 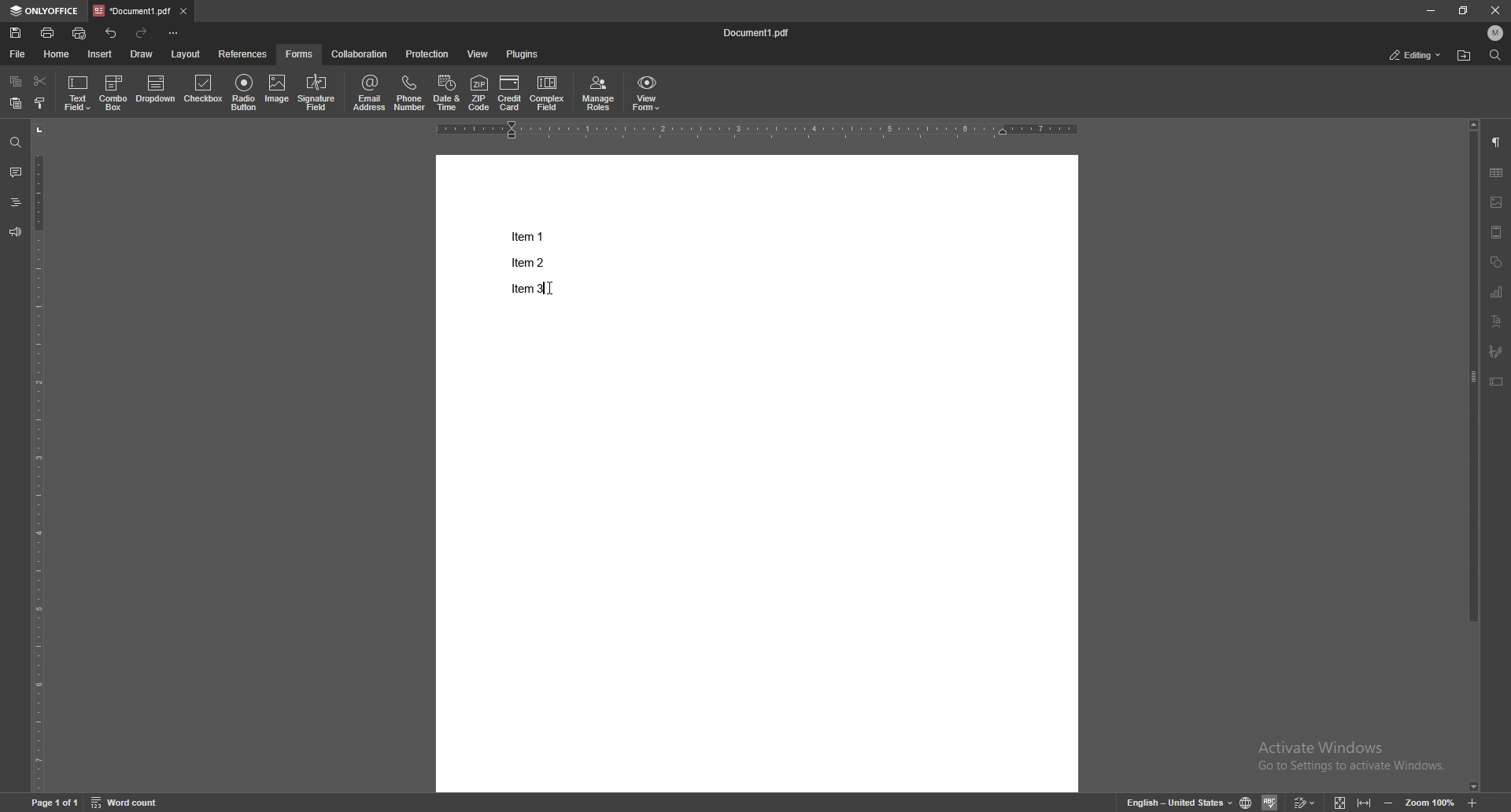 I want to click on text field, so click(x=77, y=94).